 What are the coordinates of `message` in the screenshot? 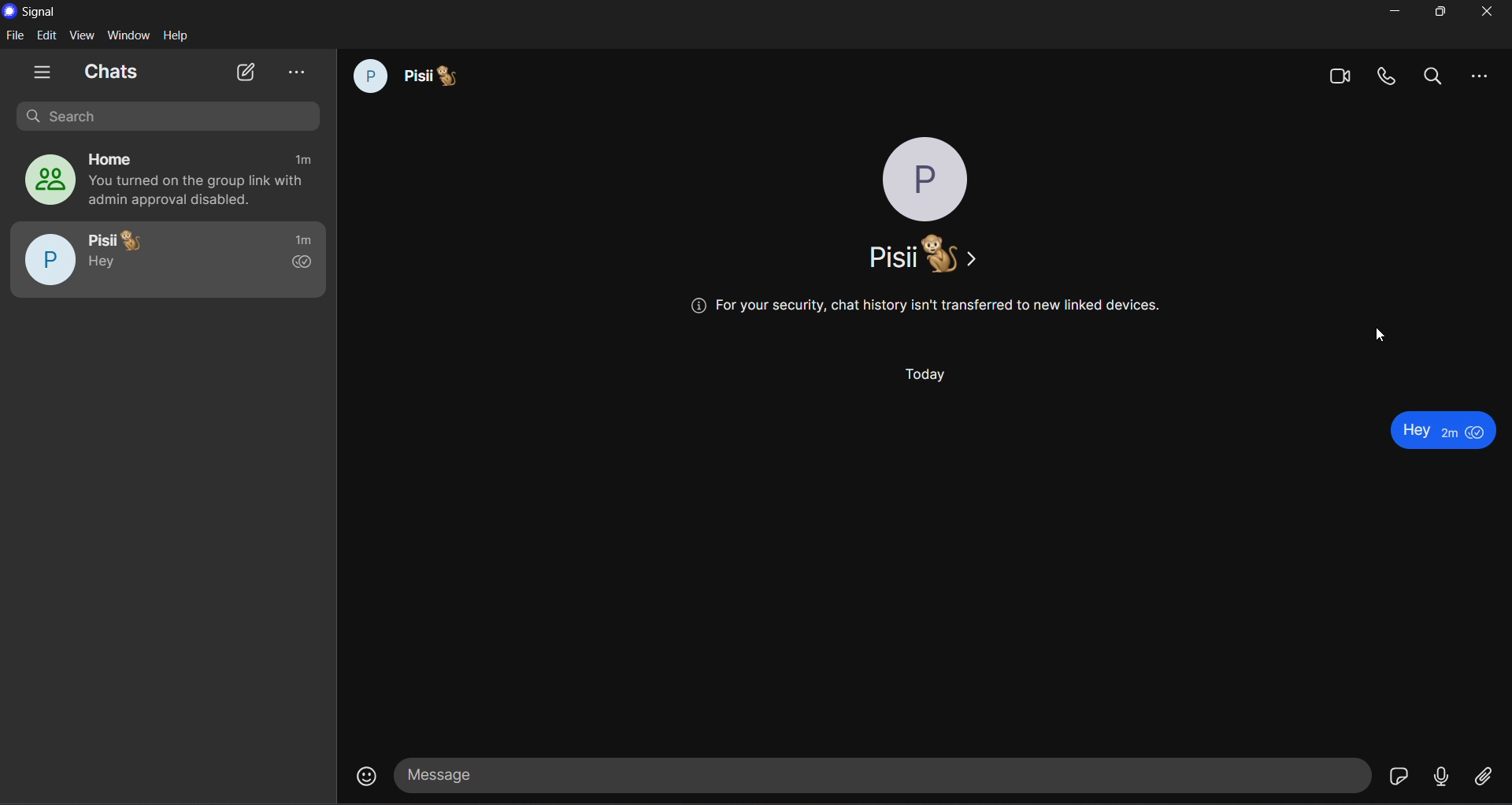 It's located at (886, 773).